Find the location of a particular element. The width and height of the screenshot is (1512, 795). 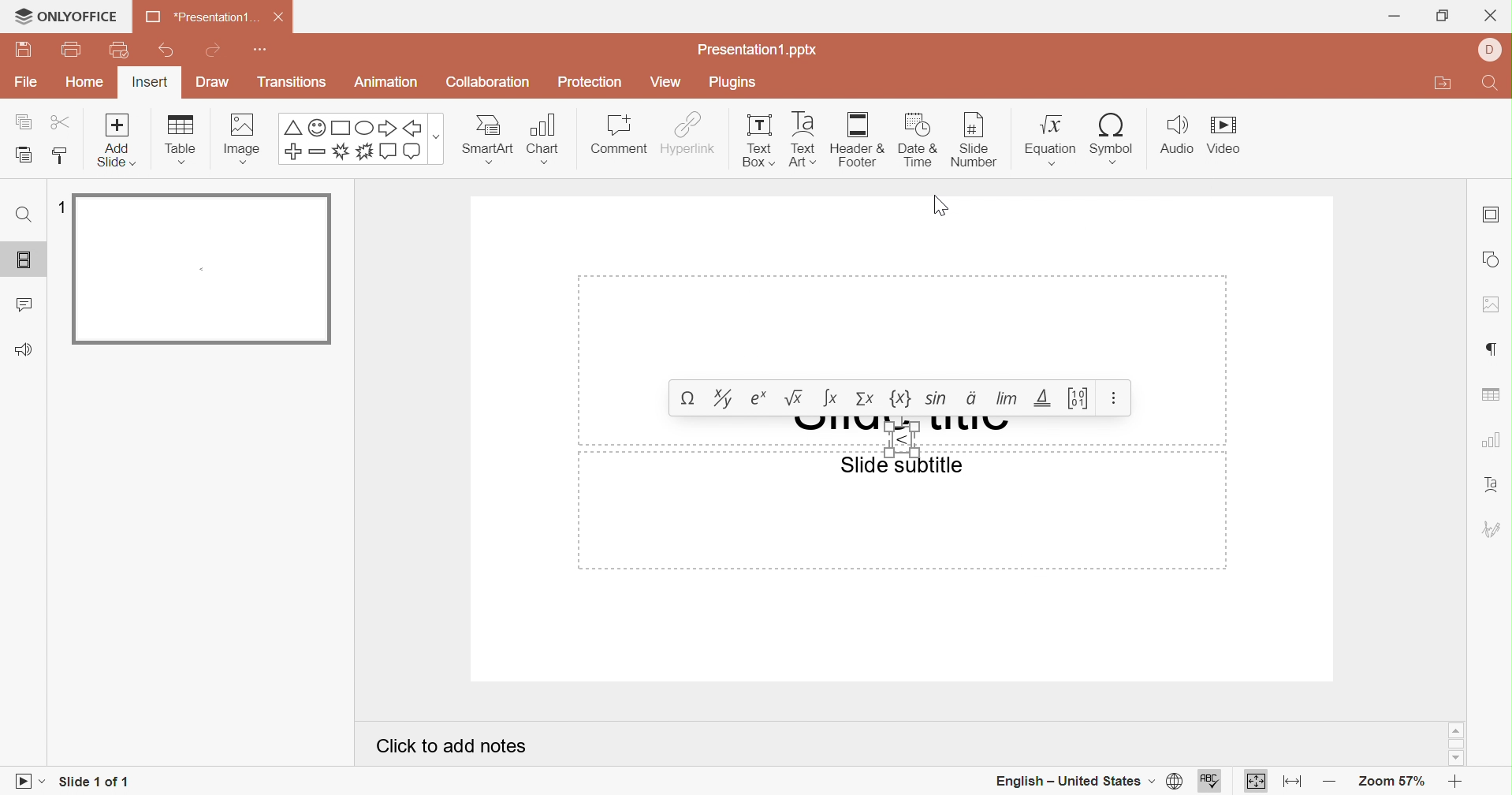

ONLYOFFICE is located at coordinates (65, 18).